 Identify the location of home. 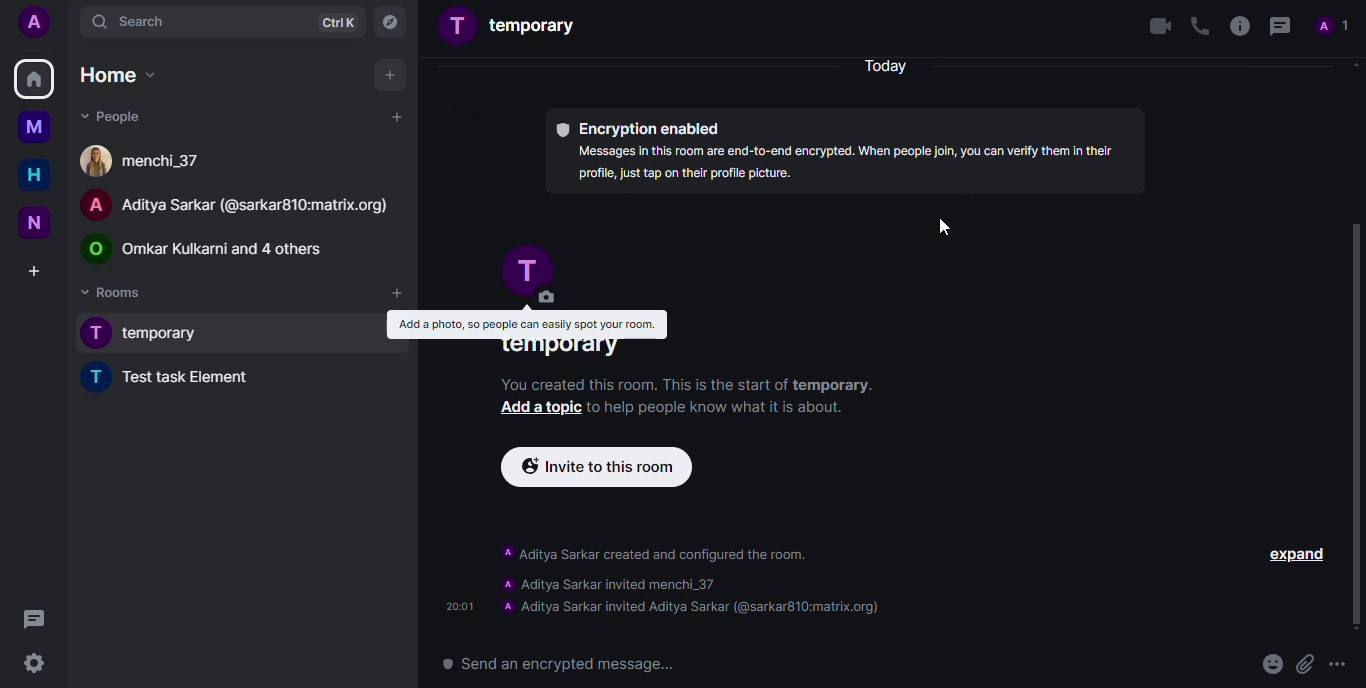
(33, 78).